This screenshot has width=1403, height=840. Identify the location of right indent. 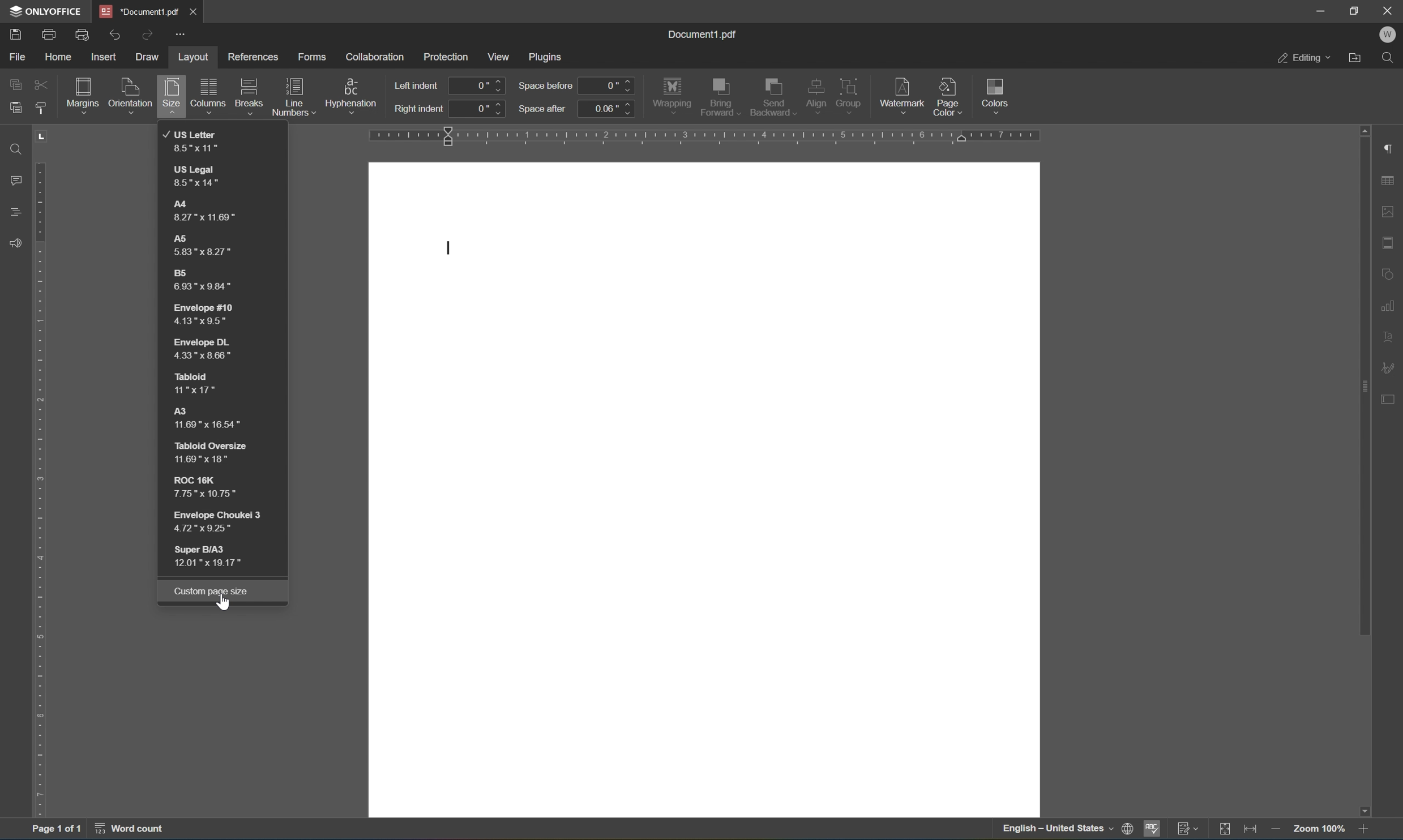
(418, 110).